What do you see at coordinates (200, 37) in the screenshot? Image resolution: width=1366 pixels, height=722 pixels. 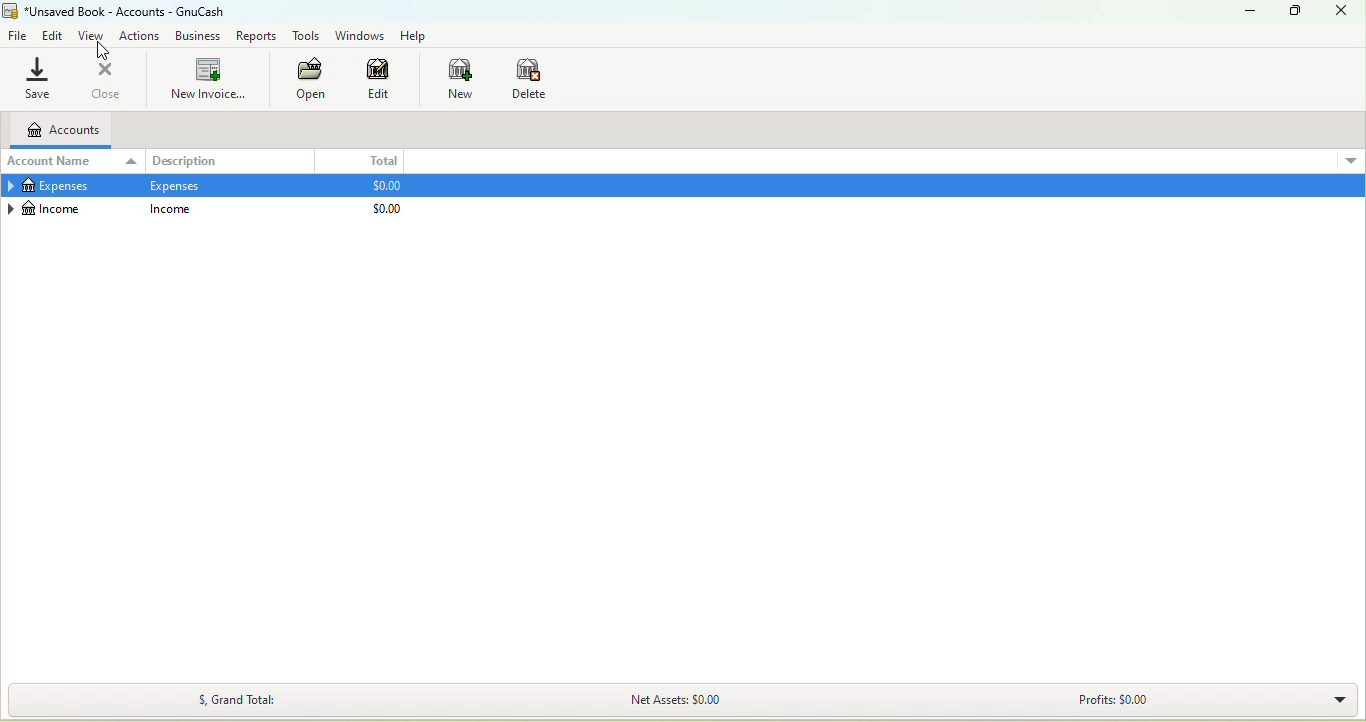 I see `Business` at bounding box center [200, 37].